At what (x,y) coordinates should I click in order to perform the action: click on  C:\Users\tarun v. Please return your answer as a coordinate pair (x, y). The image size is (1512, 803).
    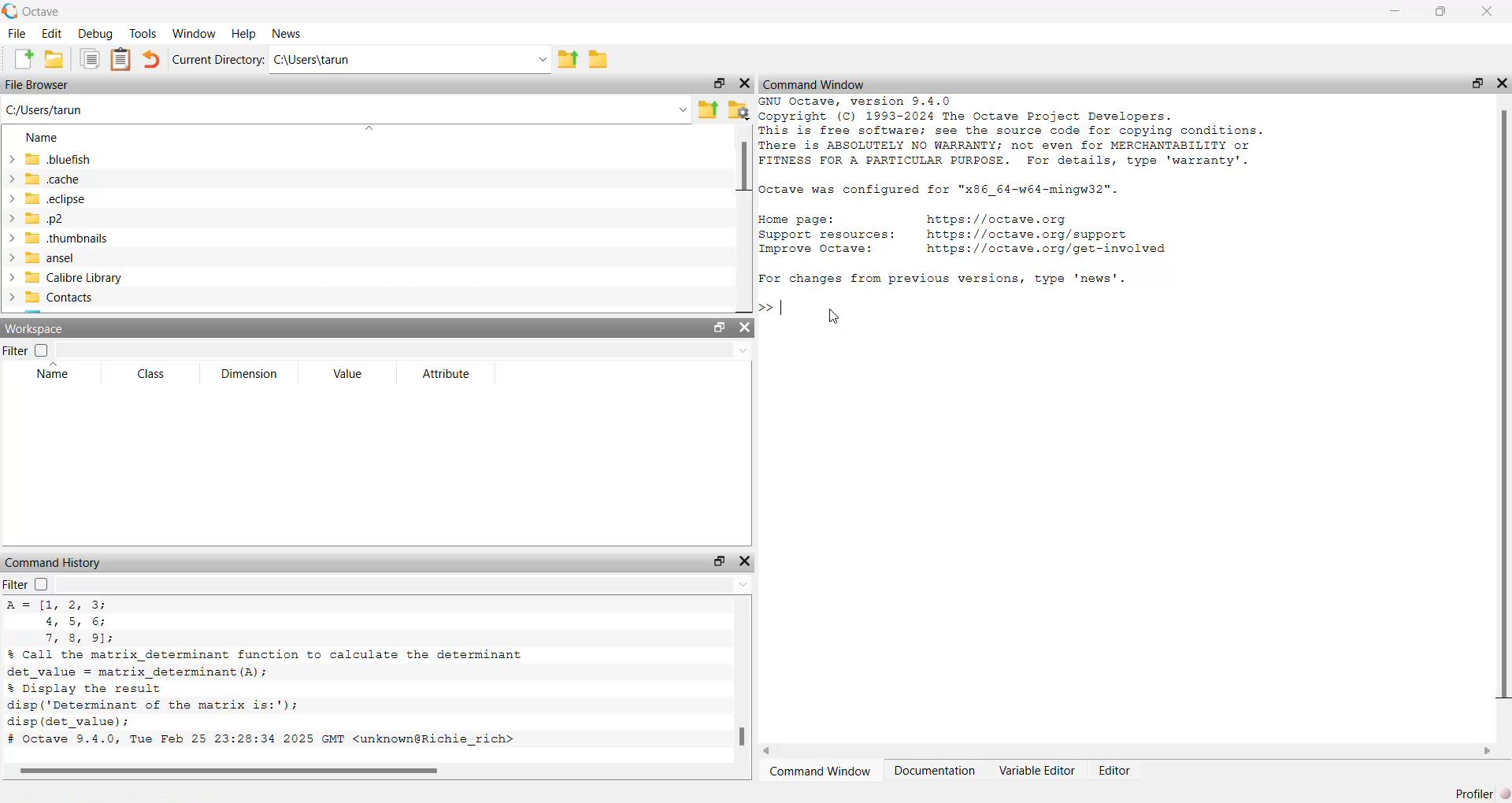
    Looking at the image, I should click on (410, 60).